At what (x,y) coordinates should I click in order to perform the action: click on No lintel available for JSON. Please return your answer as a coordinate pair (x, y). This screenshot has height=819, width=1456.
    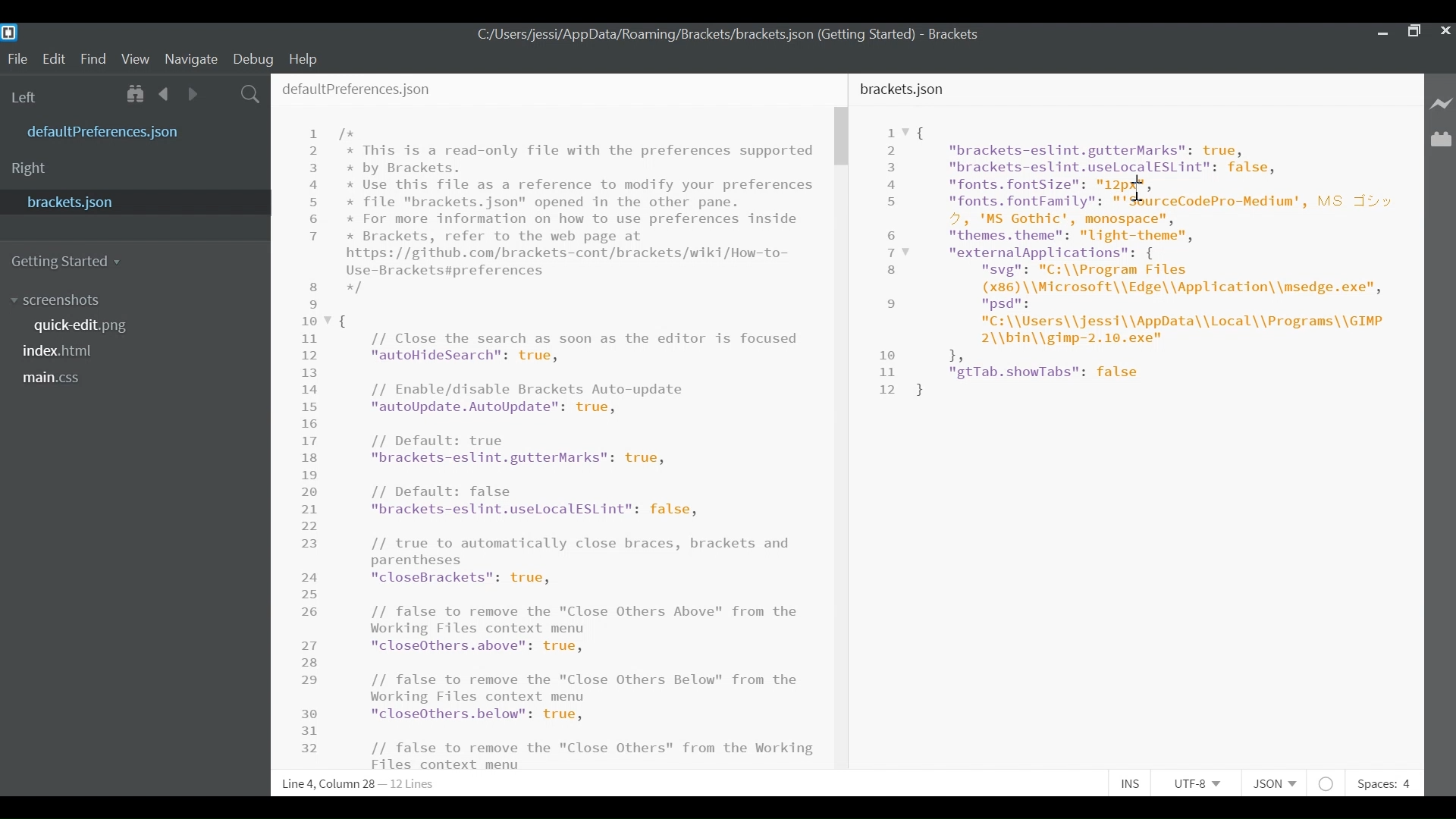
    Looking at the image, I should click on (1327, 782).